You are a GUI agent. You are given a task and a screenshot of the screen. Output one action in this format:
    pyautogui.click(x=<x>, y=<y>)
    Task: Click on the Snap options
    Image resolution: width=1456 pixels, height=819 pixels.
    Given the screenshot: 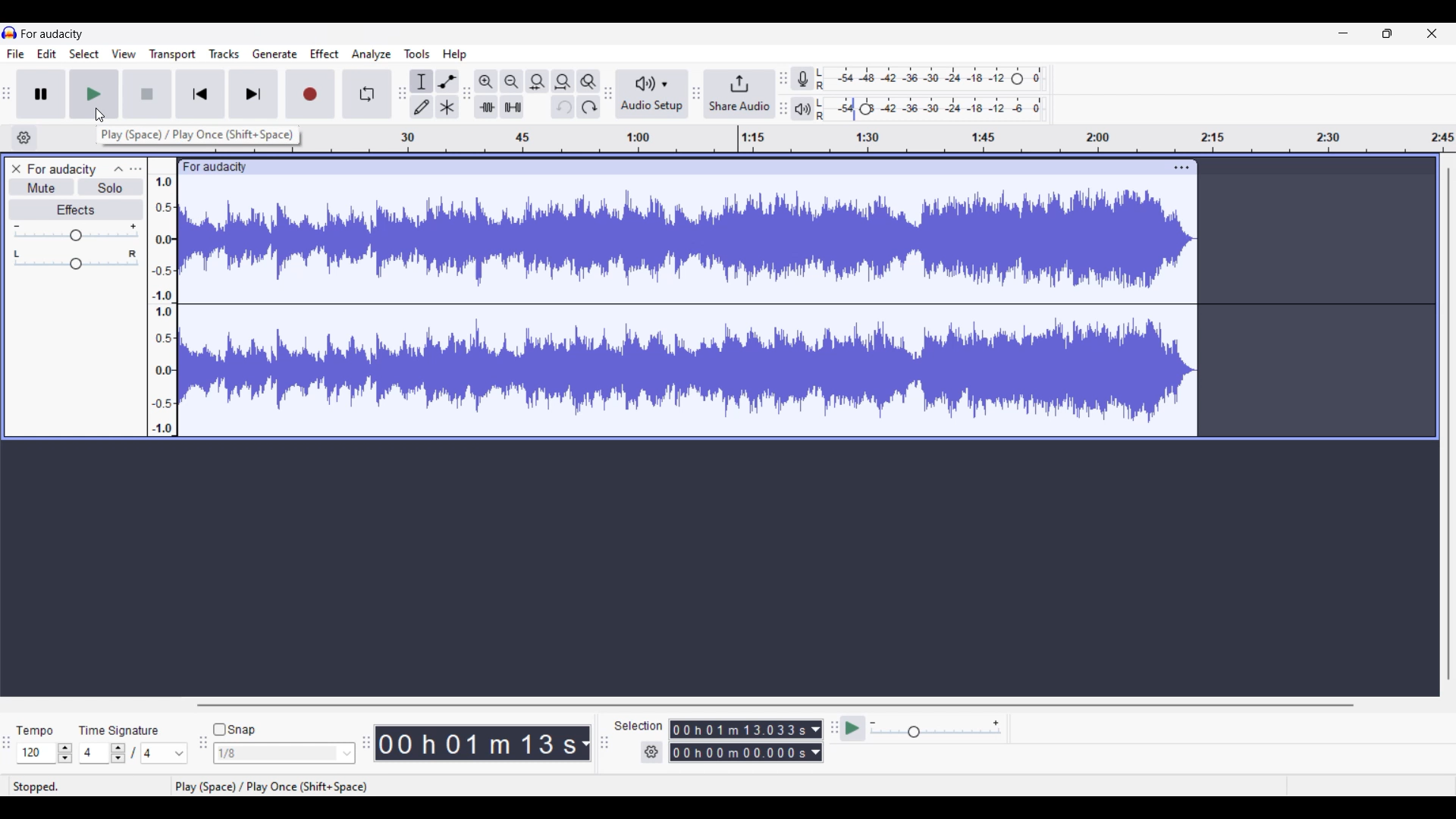 What is the action you would take?
    pyautogui.click(x=285, y=753)
    